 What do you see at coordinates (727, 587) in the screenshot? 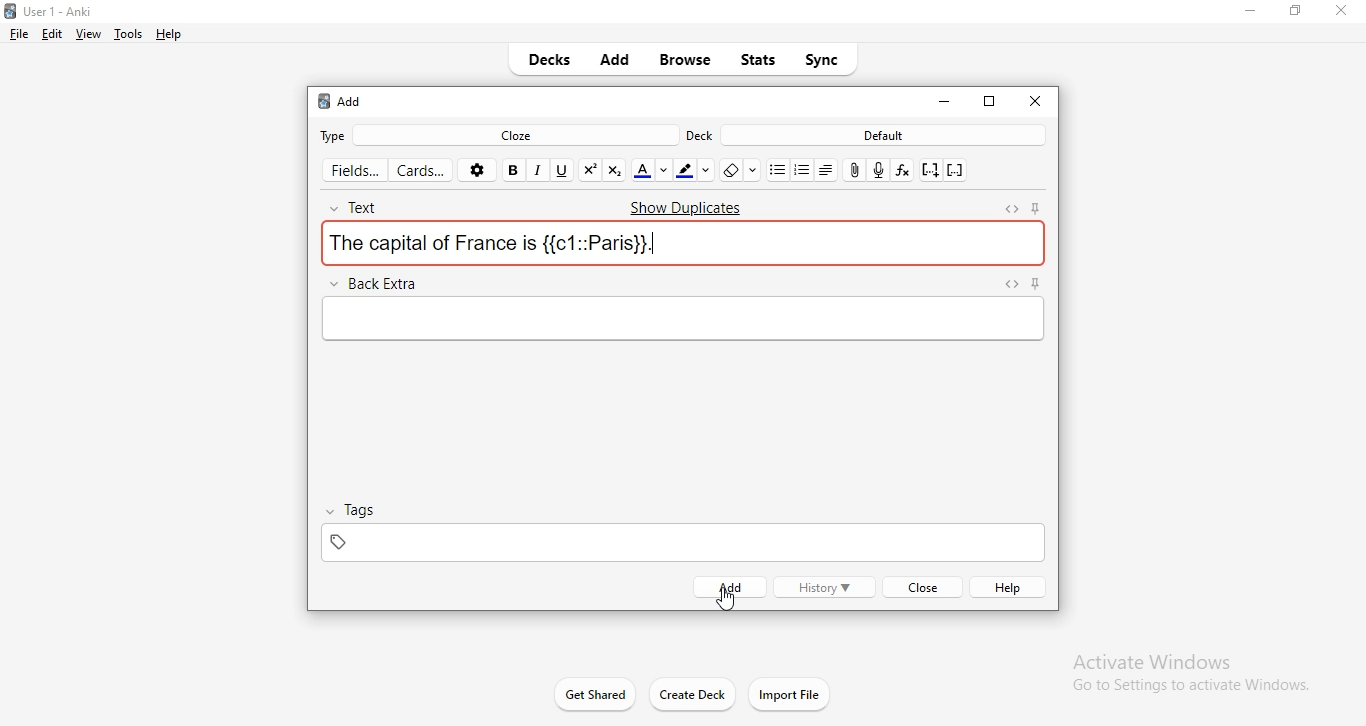
I see `add` at bounding box center [727, 587].